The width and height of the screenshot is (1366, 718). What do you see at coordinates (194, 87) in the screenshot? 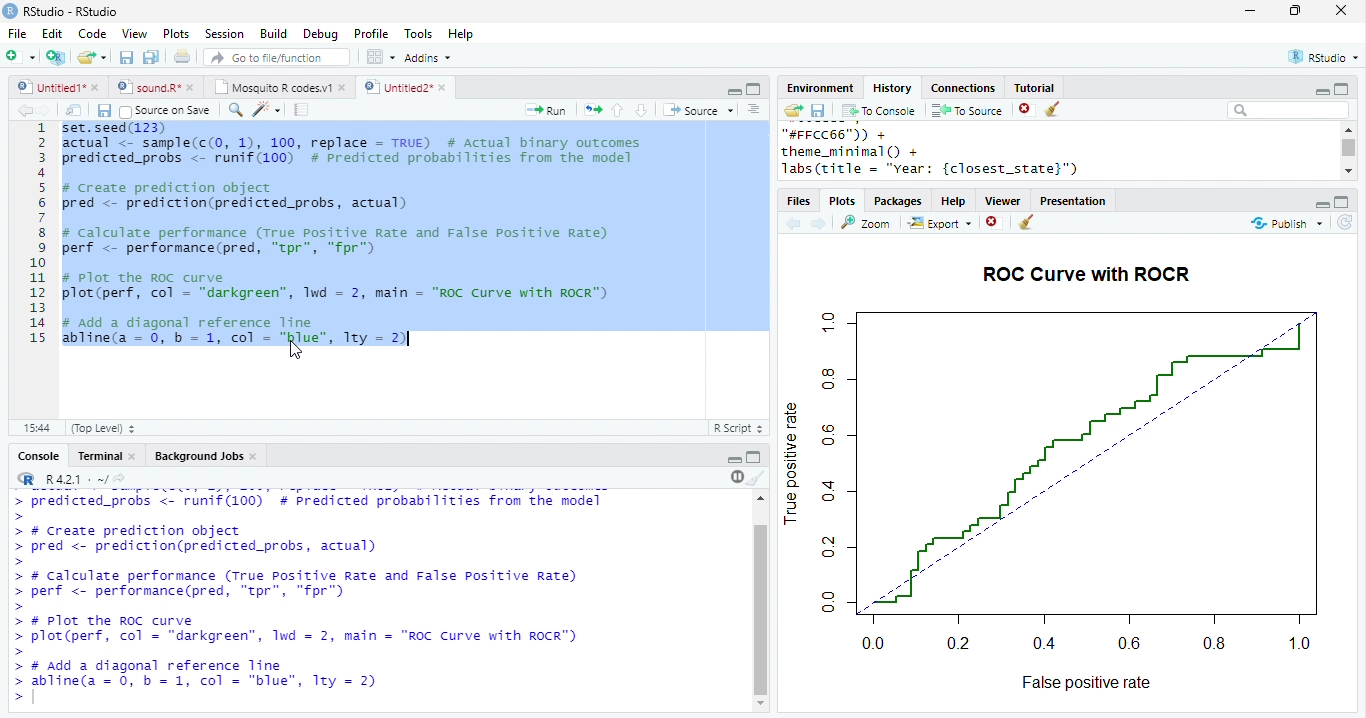
I see `close` at bounding box center [194, 87].